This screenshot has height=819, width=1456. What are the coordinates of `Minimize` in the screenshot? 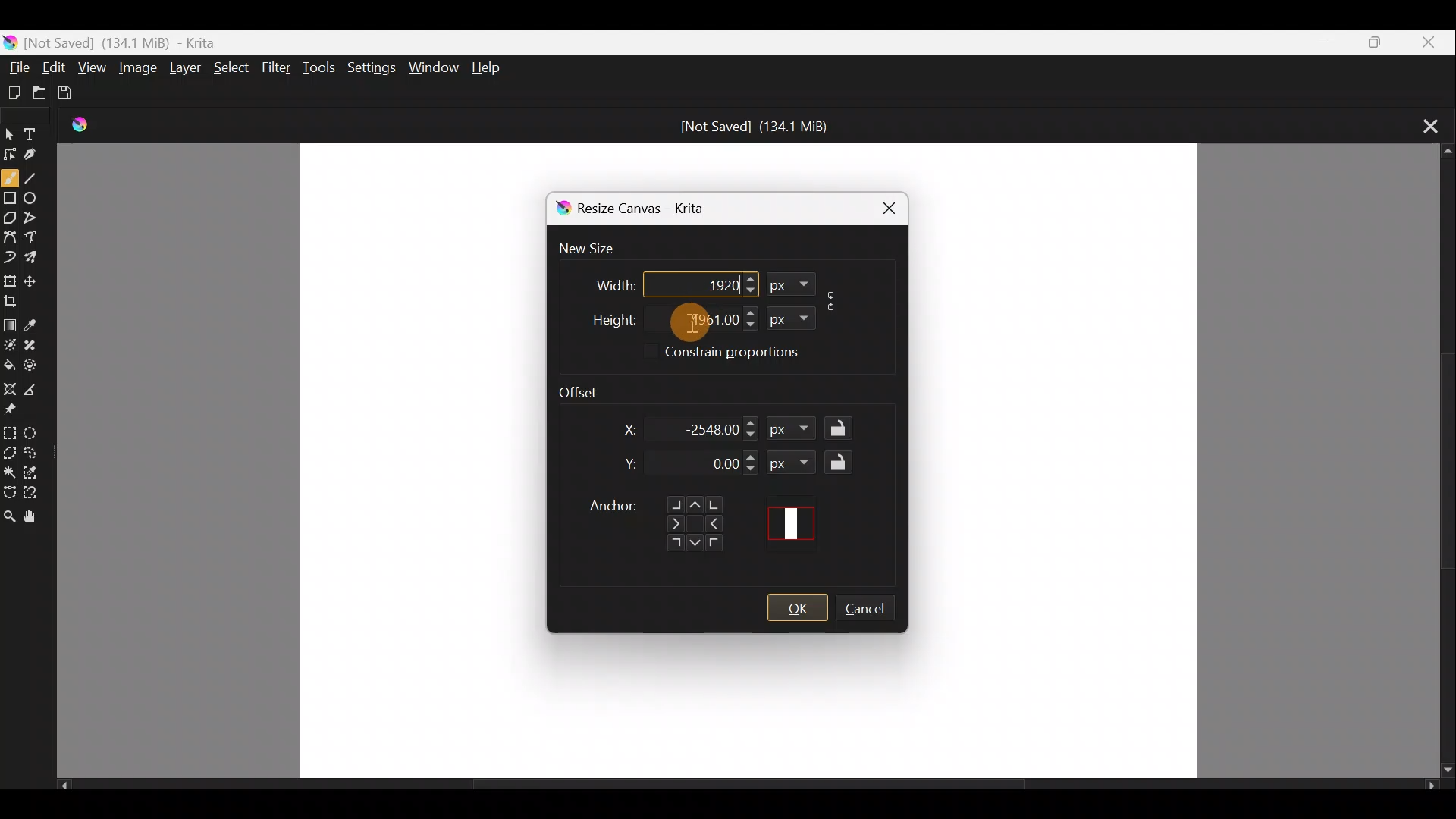 It's located at (1314, 42).